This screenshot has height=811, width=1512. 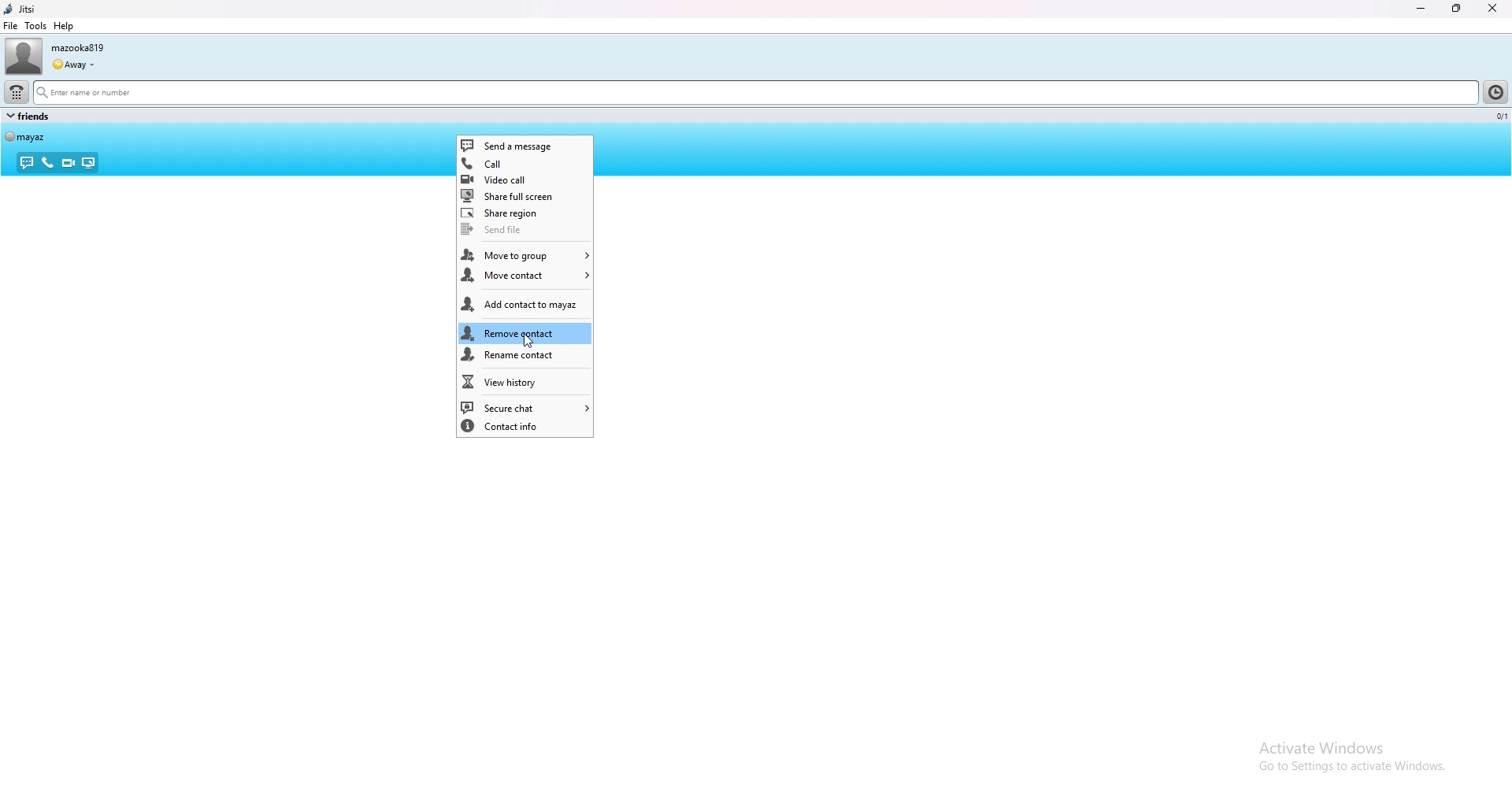 I want to click on video call, so click(x=525, y=179).